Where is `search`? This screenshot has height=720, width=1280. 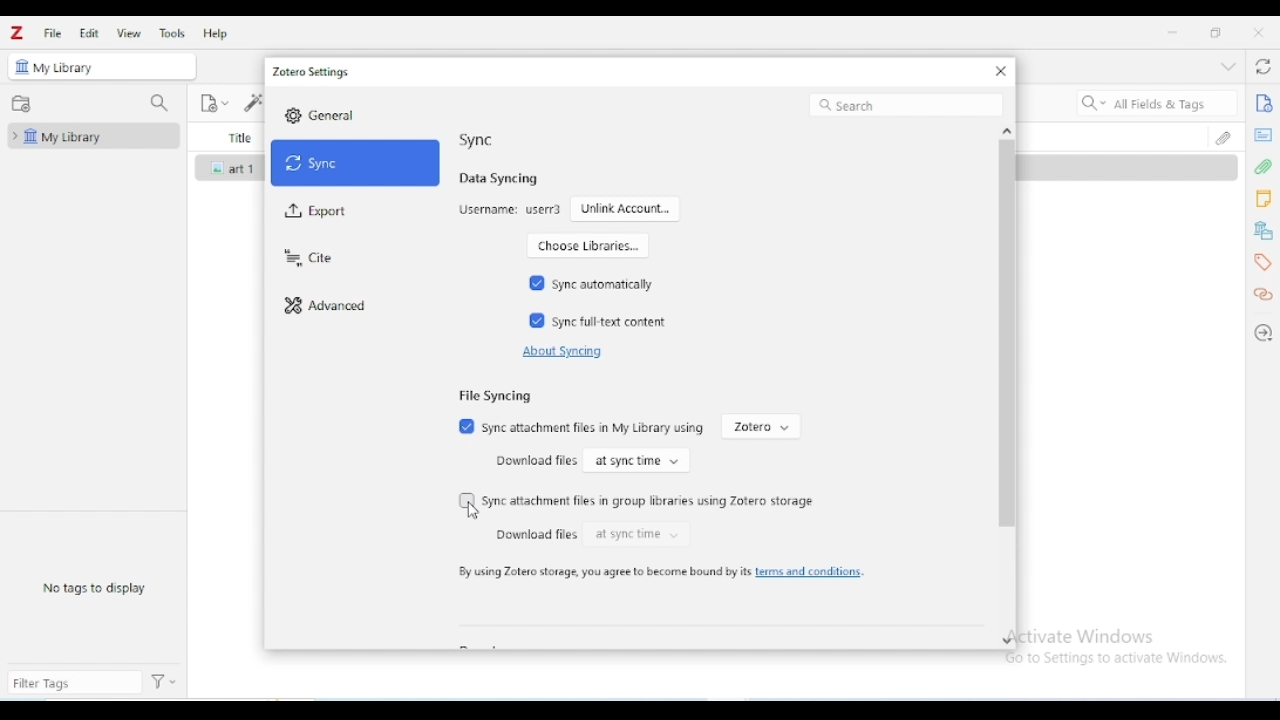 search is located at coordinates (906, 105).